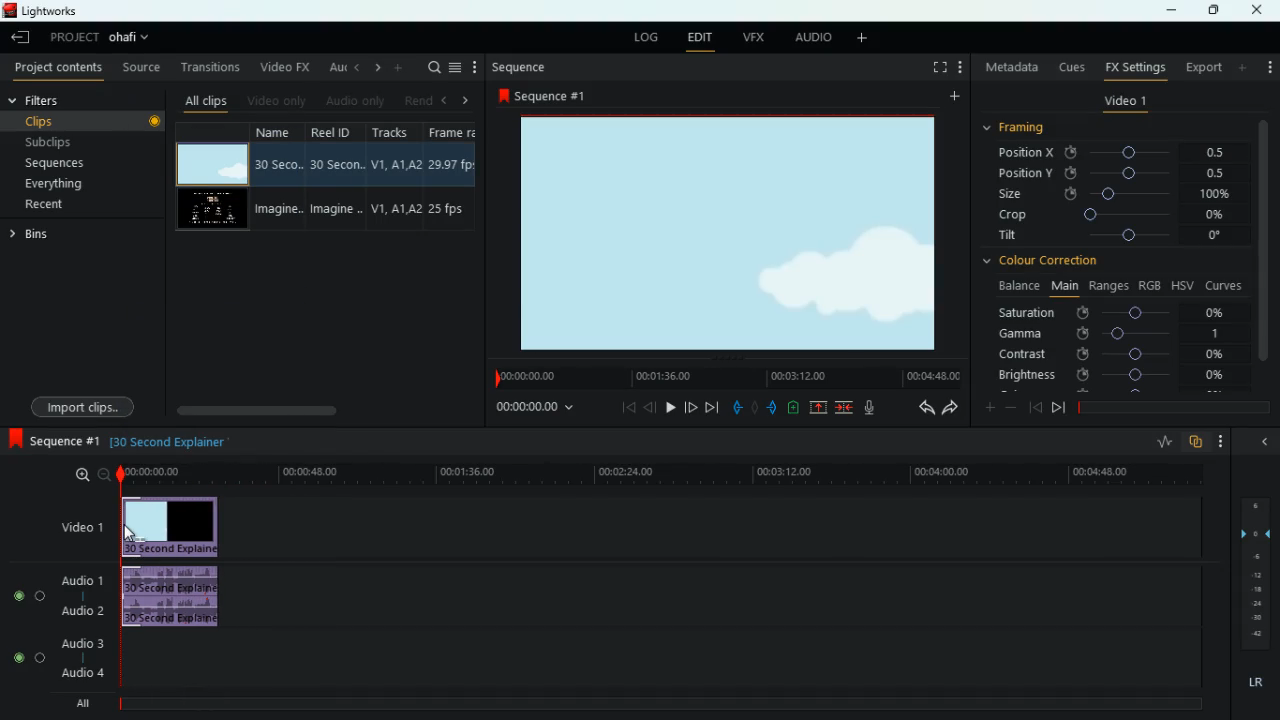 This screenshot has height=720, width=1280. What do you see at coordinates (1113, 374) in the screenshot?
I see `brightness` at bounding box center [1113, 374].